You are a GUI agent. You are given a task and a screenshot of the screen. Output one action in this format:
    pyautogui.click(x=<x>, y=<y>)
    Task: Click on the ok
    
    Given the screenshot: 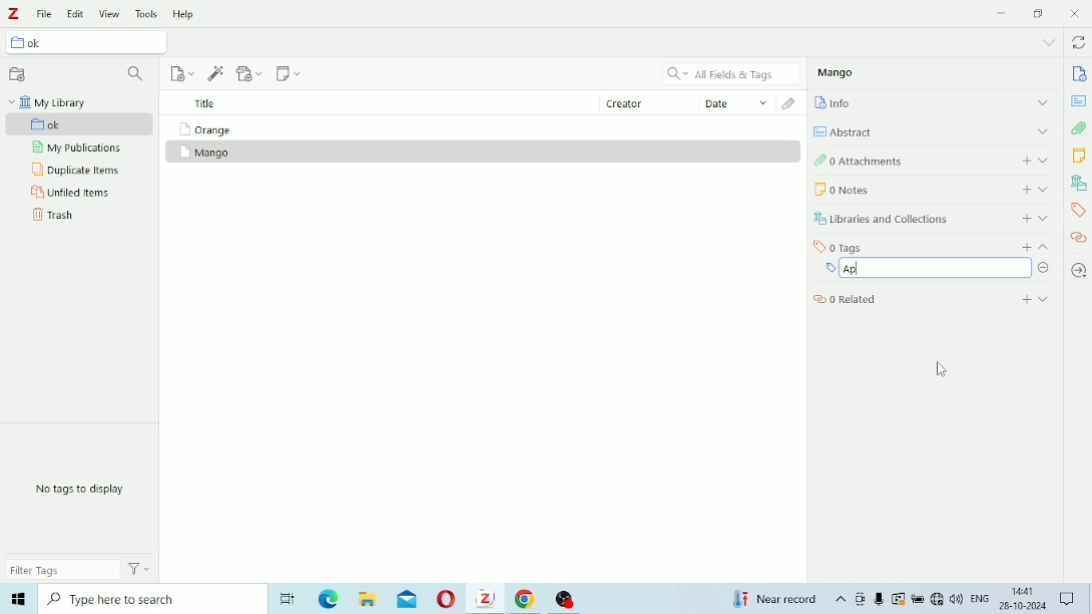 What is the action you would take?
    pyautogui.click(x=81, y=124)
    